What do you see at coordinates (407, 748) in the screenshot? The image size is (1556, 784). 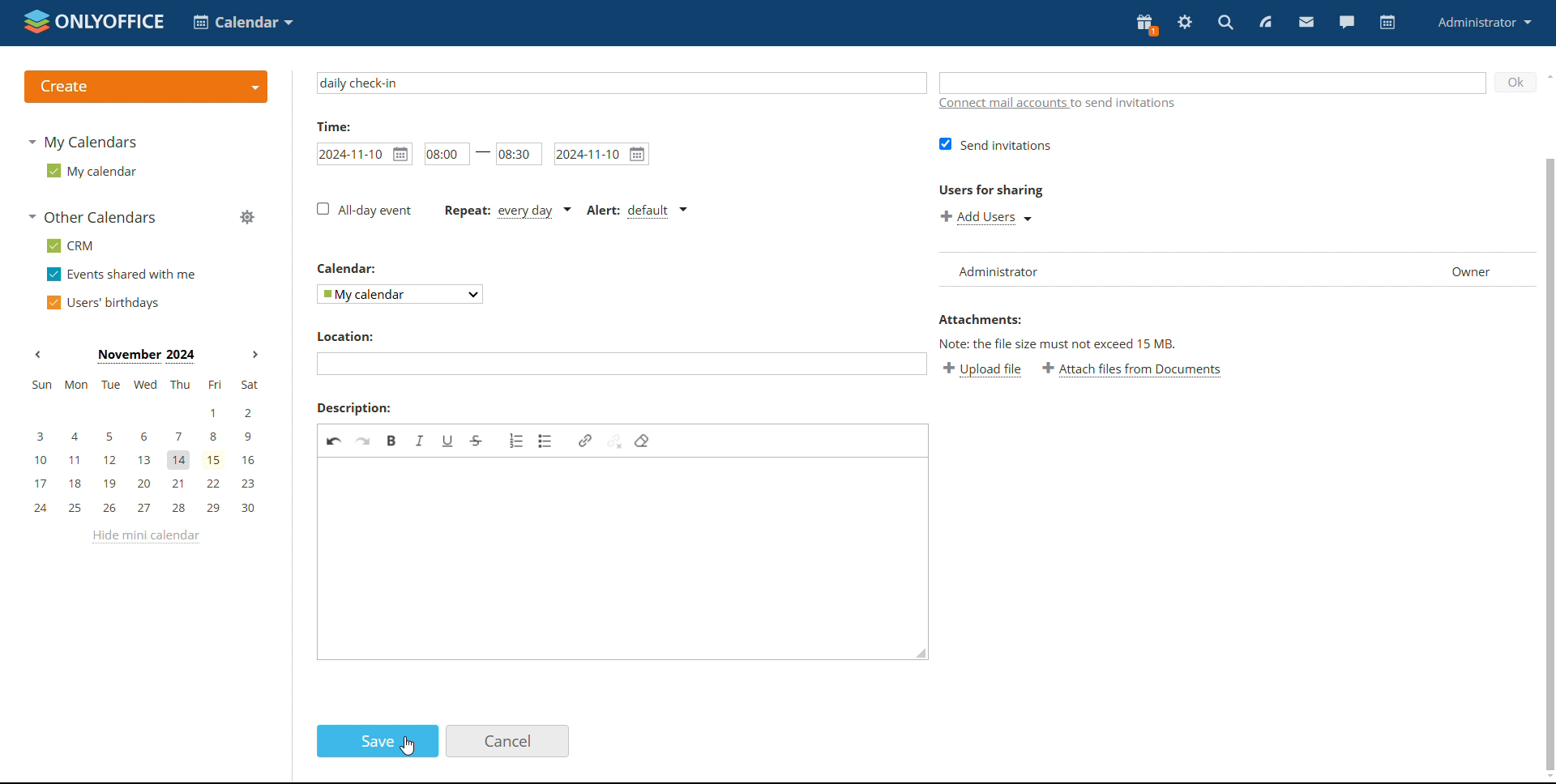 I see `cursor` at bounding box center [407, 748].